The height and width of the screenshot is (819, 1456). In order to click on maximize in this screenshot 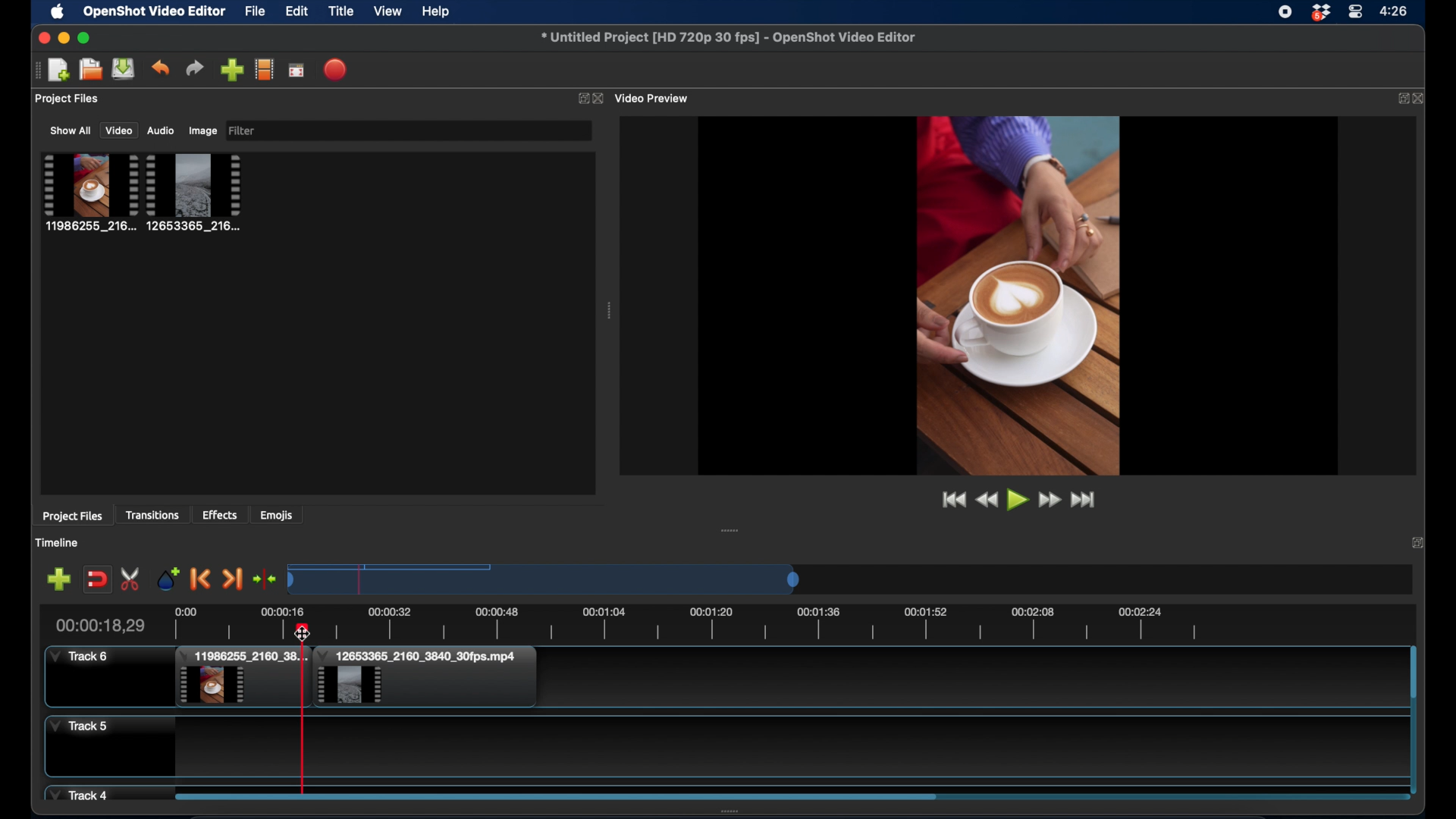, I will do `click(84, 38)`.